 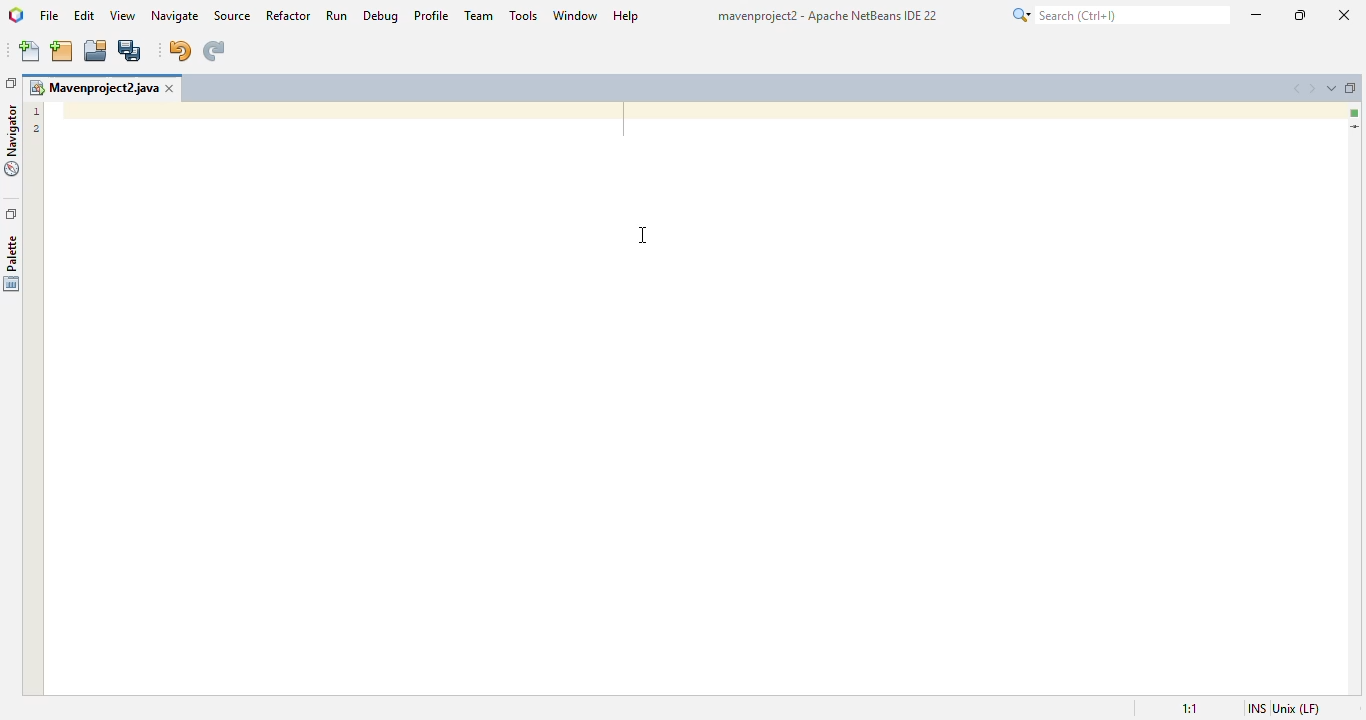 What do you see at coordinates (1299, 89) in the screenshot?
I see `scroll documents left` at bounding box center [1299, 89].